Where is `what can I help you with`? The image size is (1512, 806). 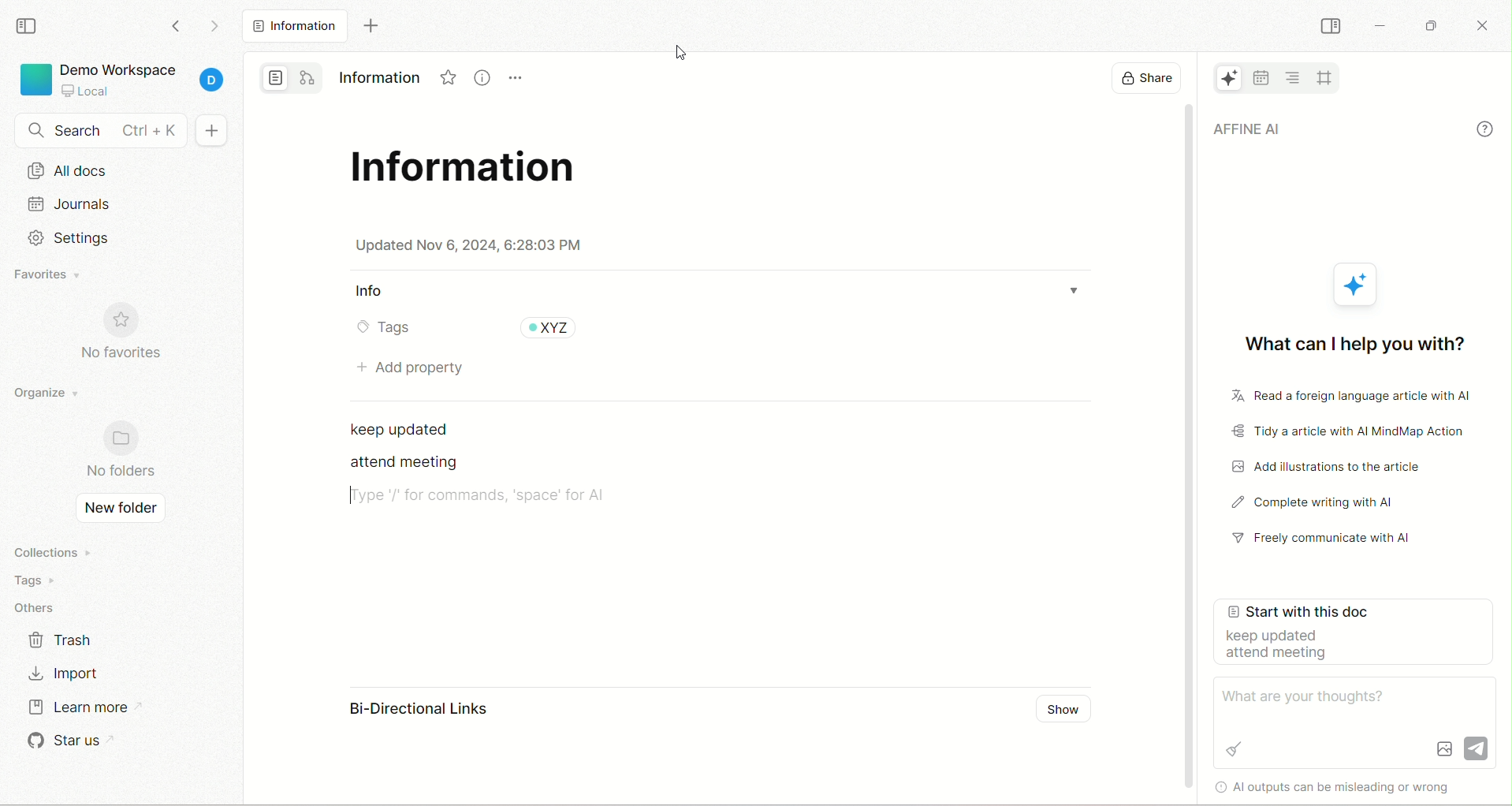 what can I help you with is located at coordinates (1351, 340).